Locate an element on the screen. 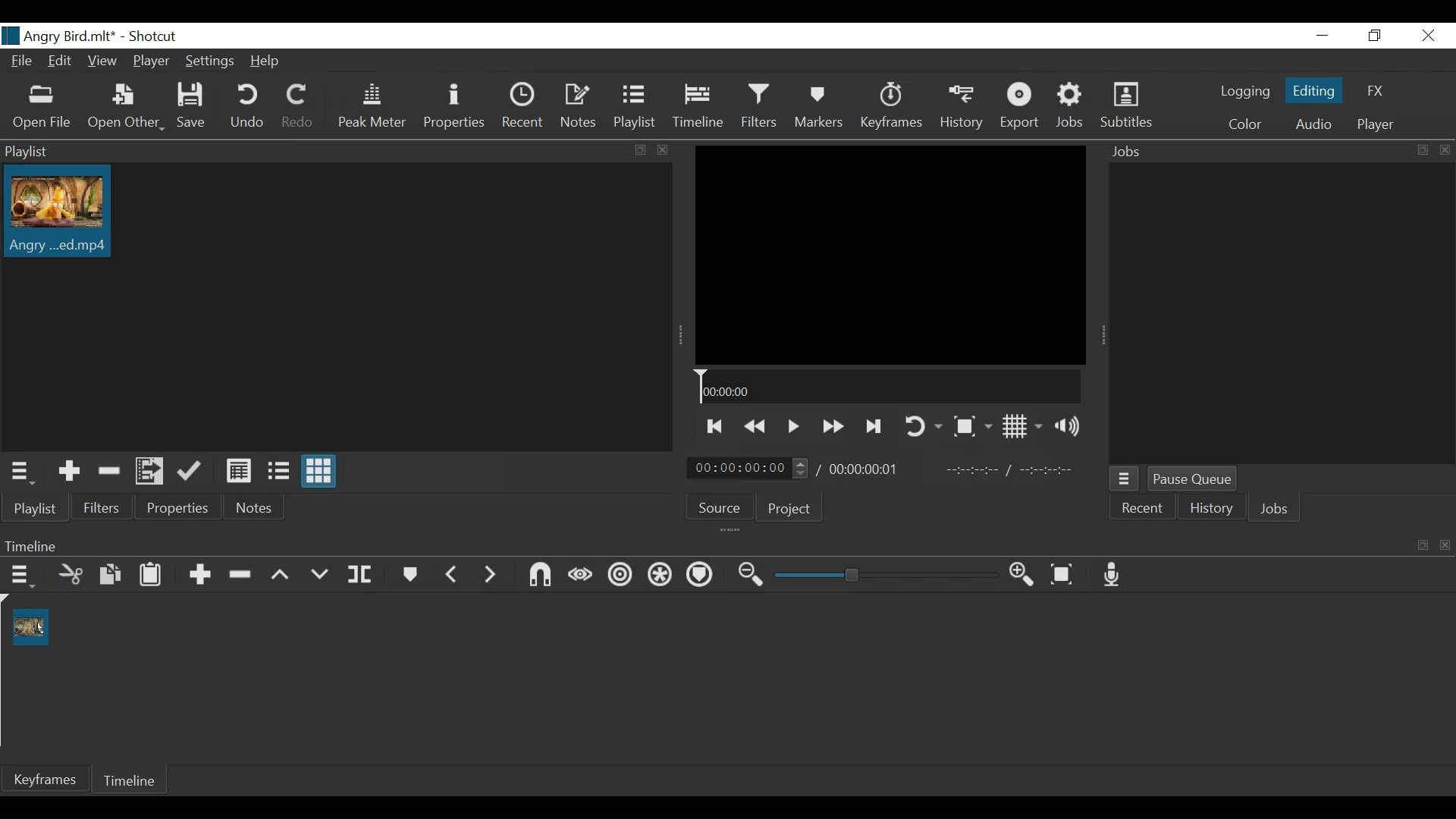 This screenshot has height=819, width=1456. Timeline is located at coordinates (130, 780).